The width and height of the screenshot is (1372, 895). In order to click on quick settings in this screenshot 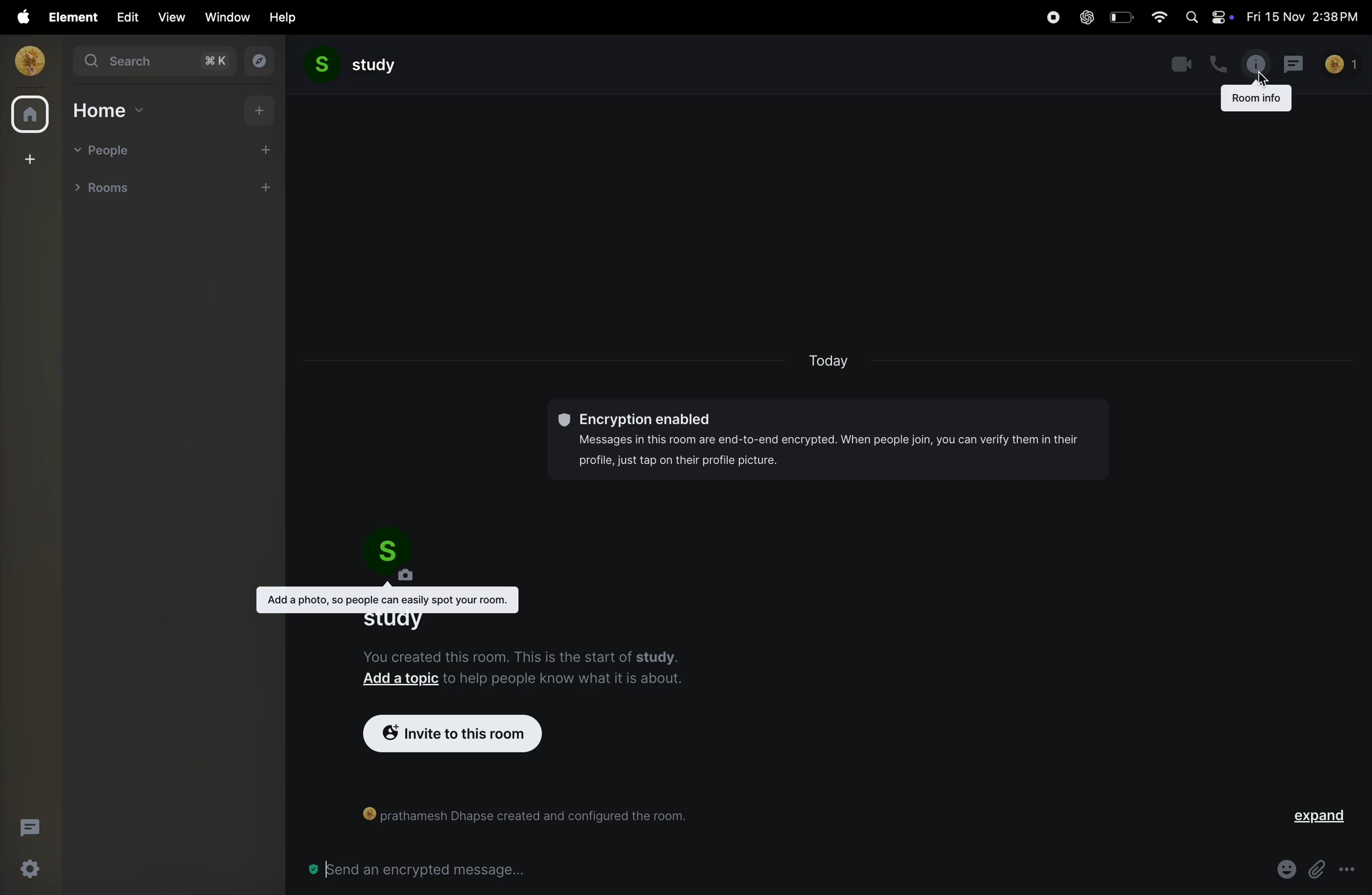, I will do `click(25, 871)`.